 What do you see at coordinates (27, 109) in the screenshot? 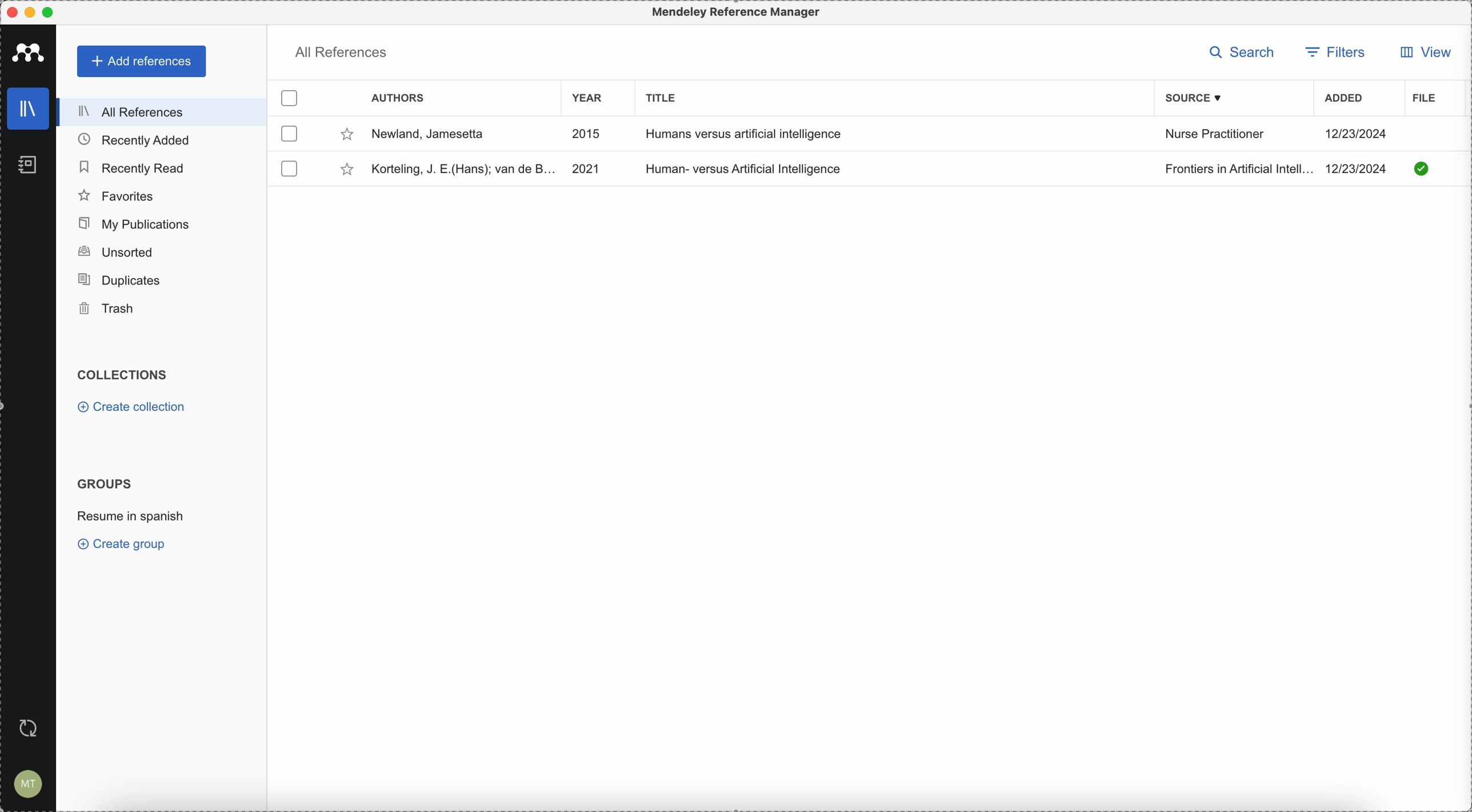
I see `library` at bounding box center [27, 109].